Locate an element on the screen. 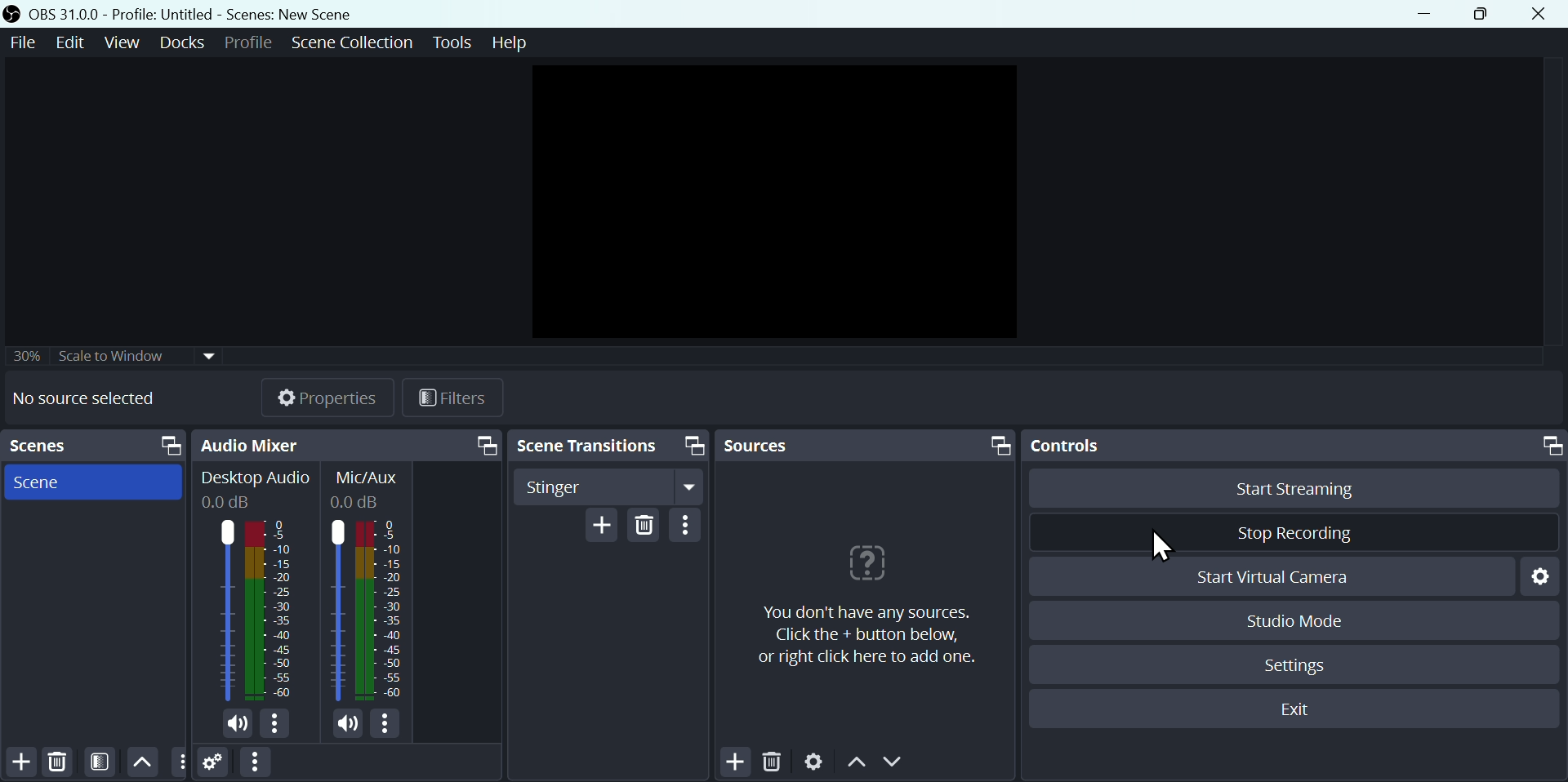 This screenshot has width=1568, height=782. Audio bar is located at coordinates (250, 587).